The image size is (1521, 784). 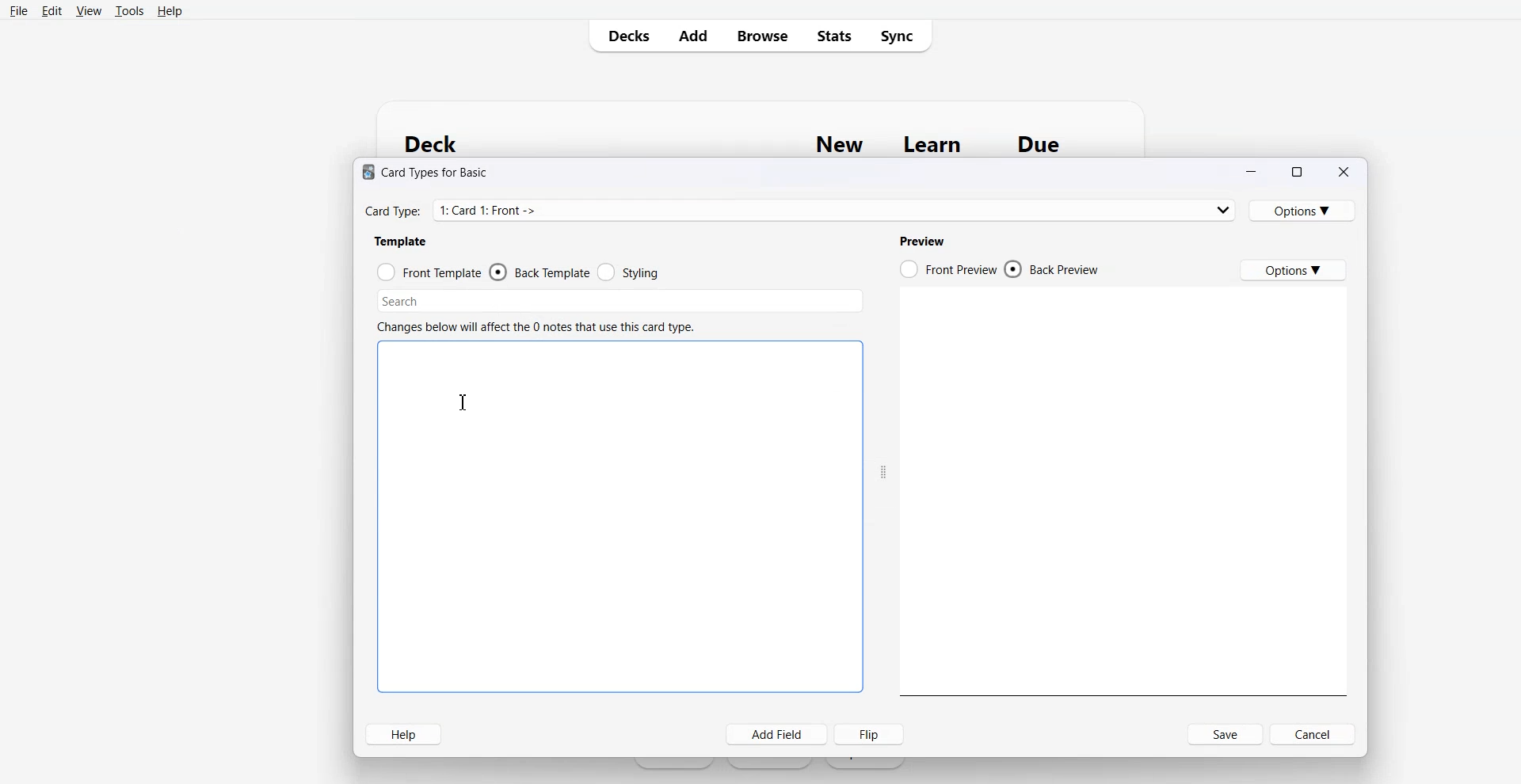 What do you see at coordinates (1057, 266) in the screenshot?
I see `Back Preview` at bounding box center [1057, 266].